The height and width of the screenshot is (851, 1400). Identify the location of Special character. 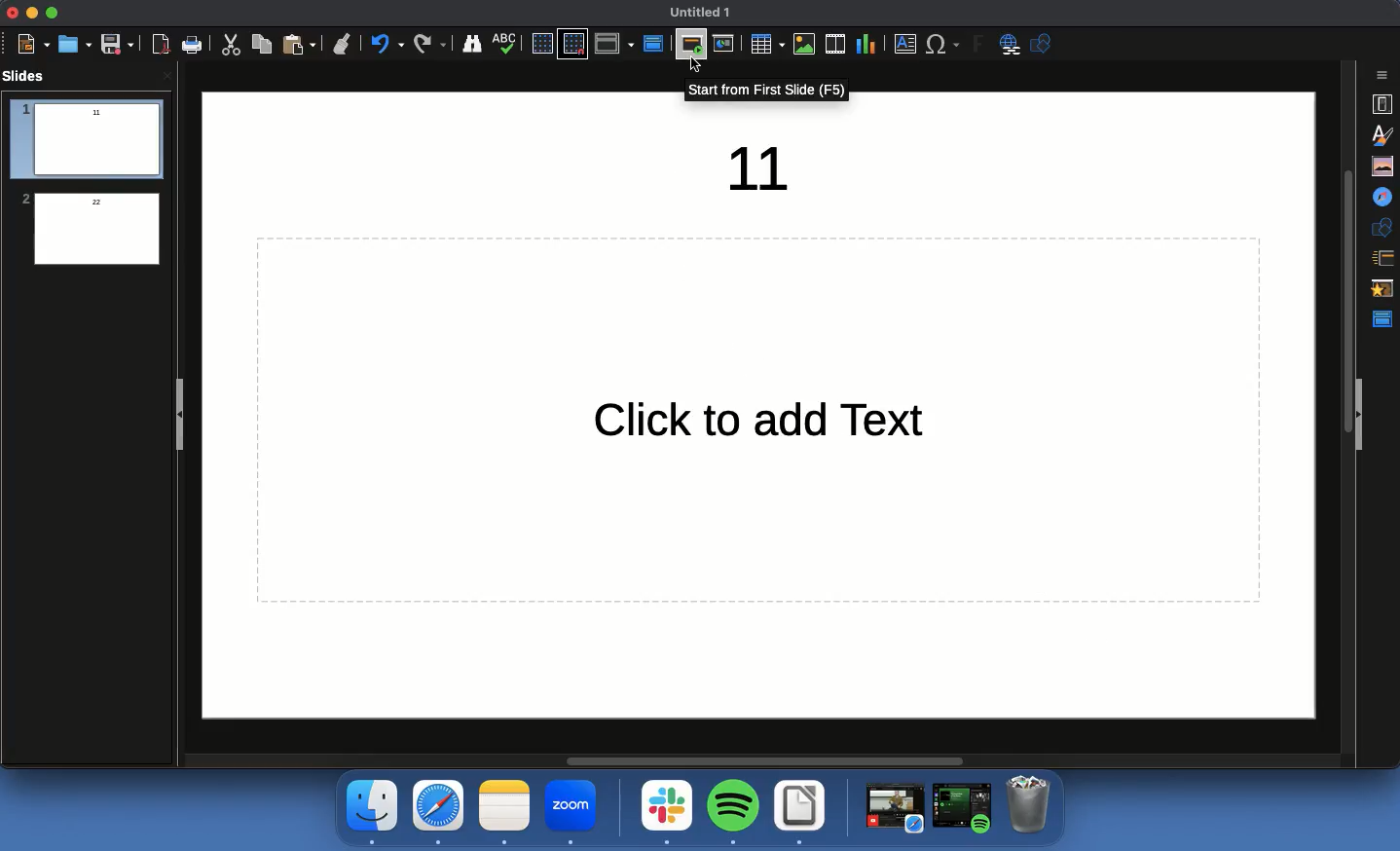
(940, 44).